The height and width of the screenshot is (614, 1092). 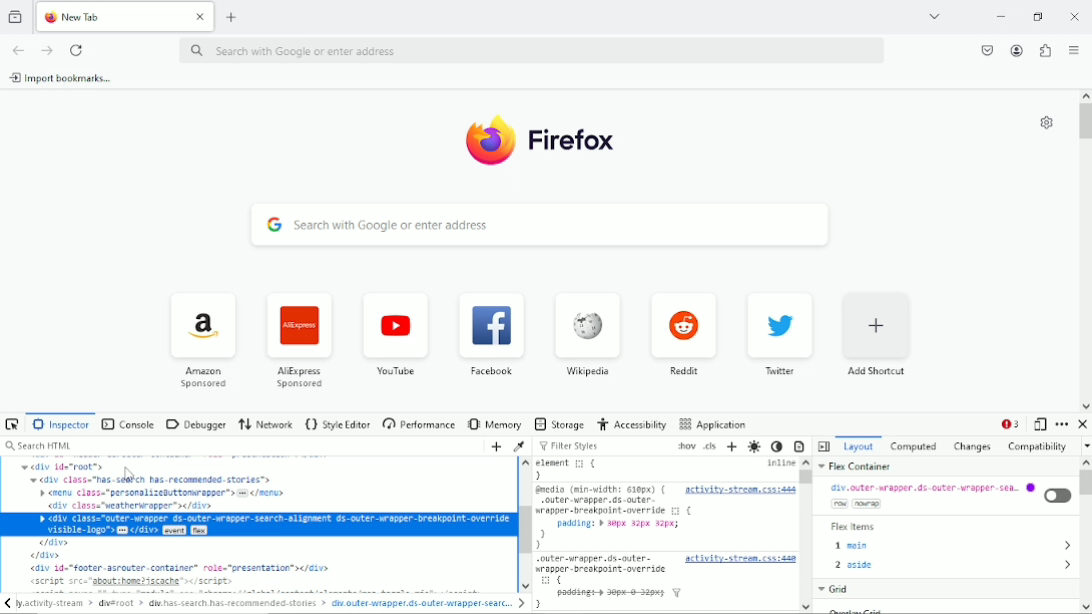 What do you see at coordinates (53, 542) in the screenshot?
I see `</div>` at bounding box center [53, 542].